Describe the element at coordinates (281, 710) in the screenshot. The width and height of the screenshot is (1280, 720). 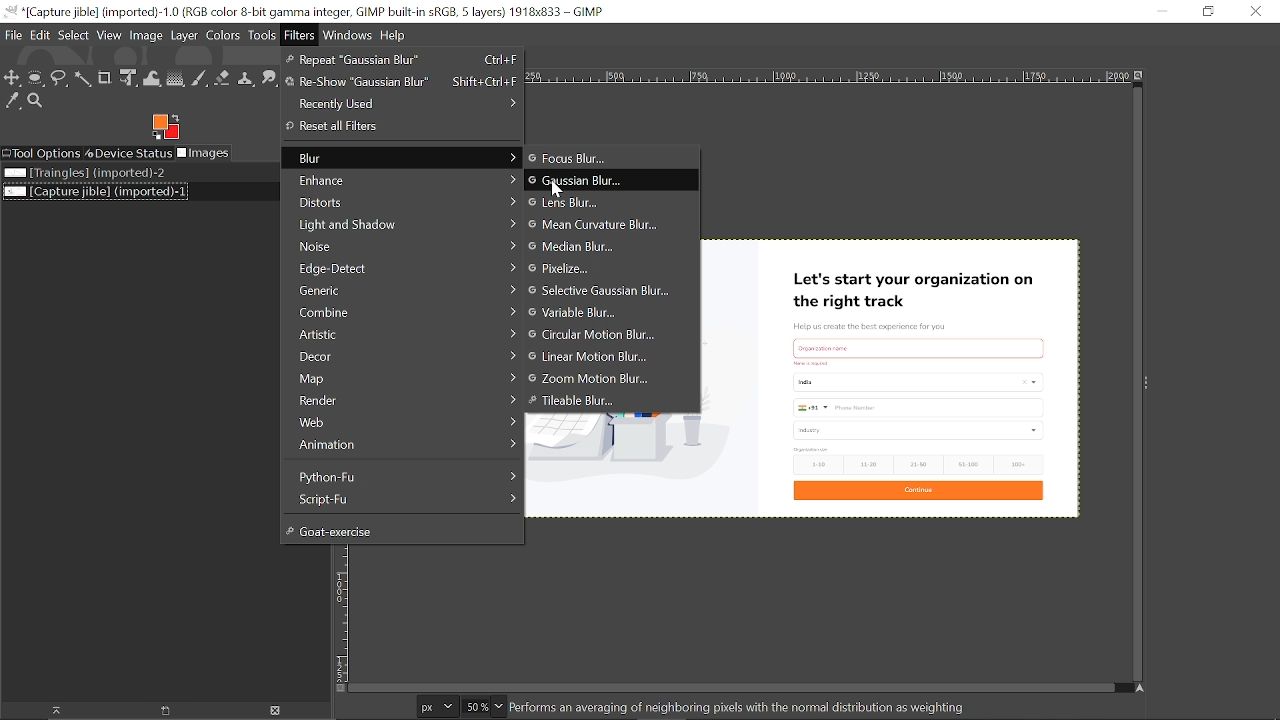
I see `Delet image` at that location.